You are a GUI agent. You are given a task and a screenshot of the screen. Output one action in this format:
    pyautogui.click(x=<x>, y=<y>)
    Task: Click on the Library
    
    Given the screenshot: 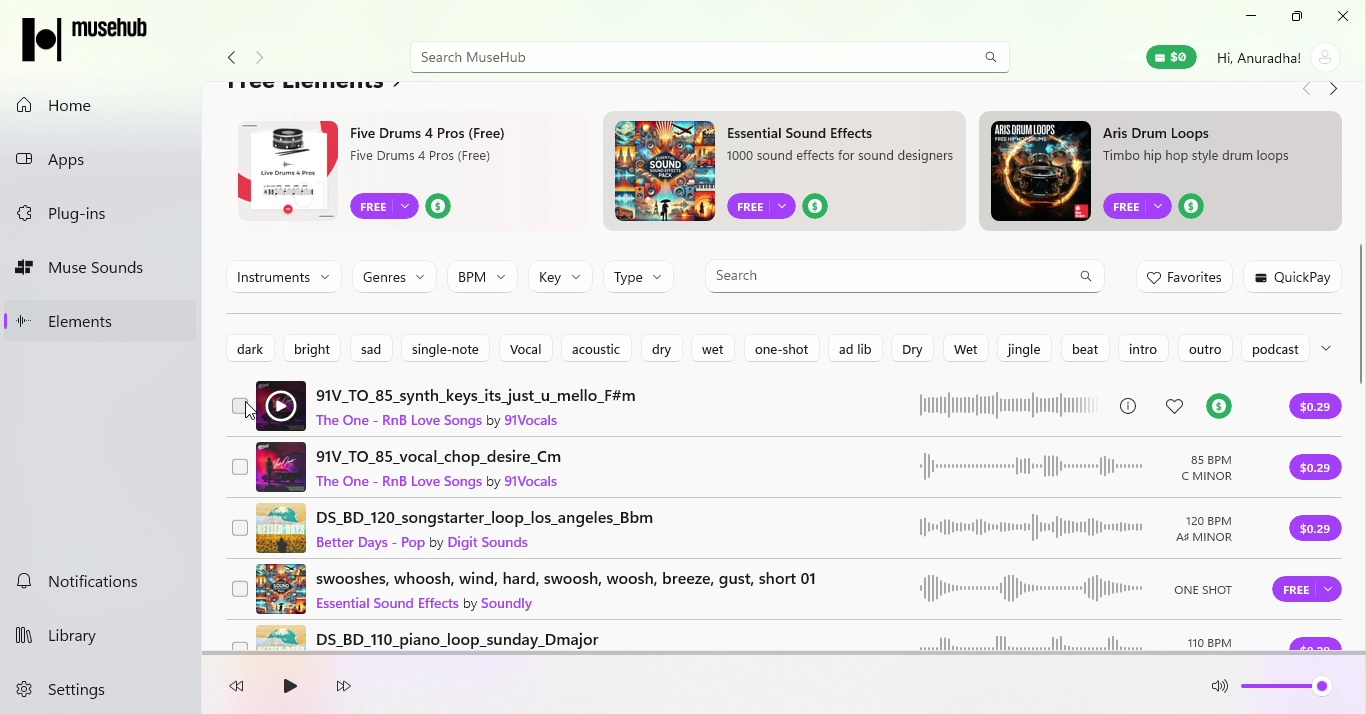 What is the action you would take?
    pyautogui.click(x=84, y=632)
    